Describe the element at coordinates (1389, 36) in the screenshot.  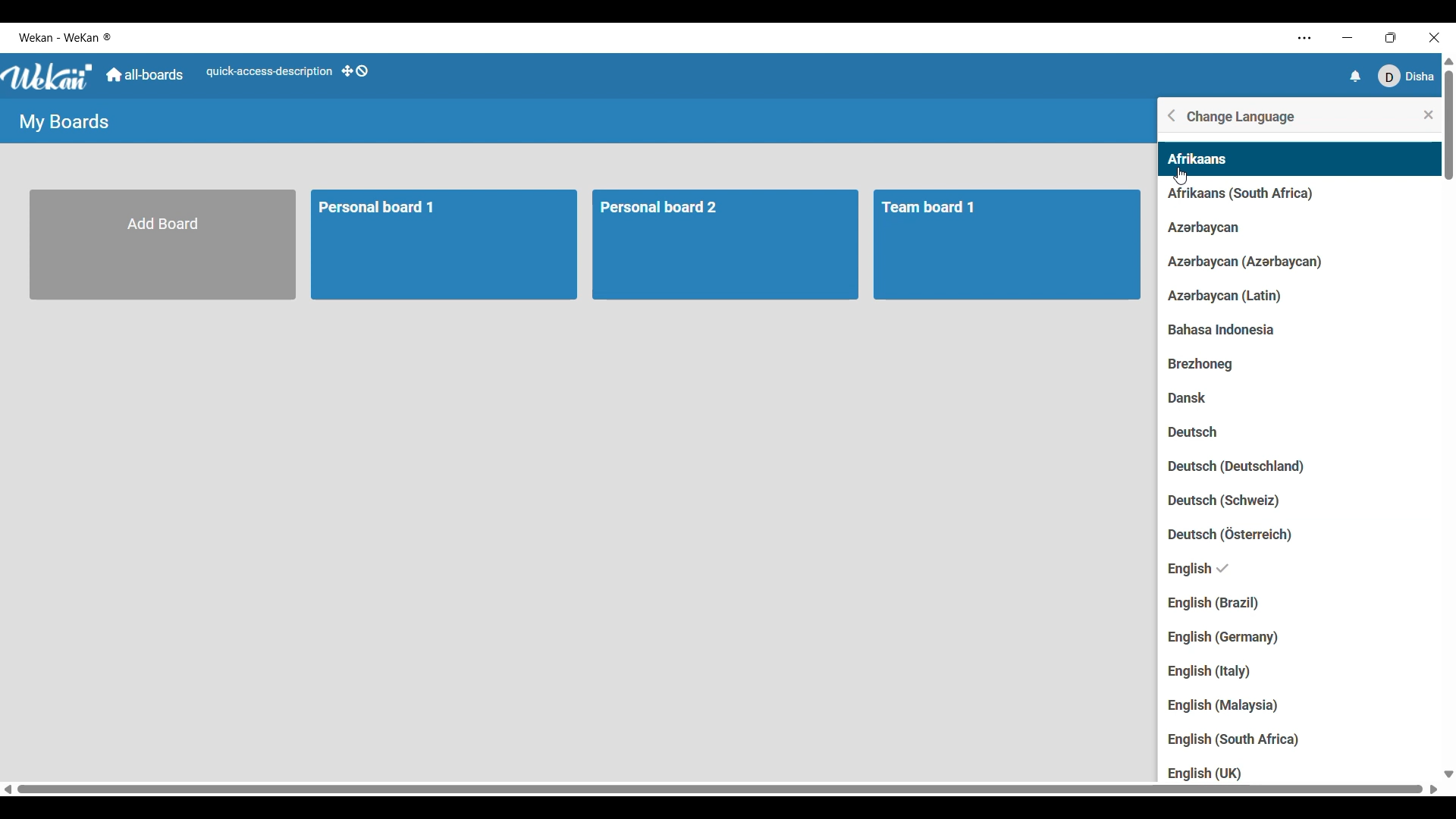
I see `Maximize` at that location.